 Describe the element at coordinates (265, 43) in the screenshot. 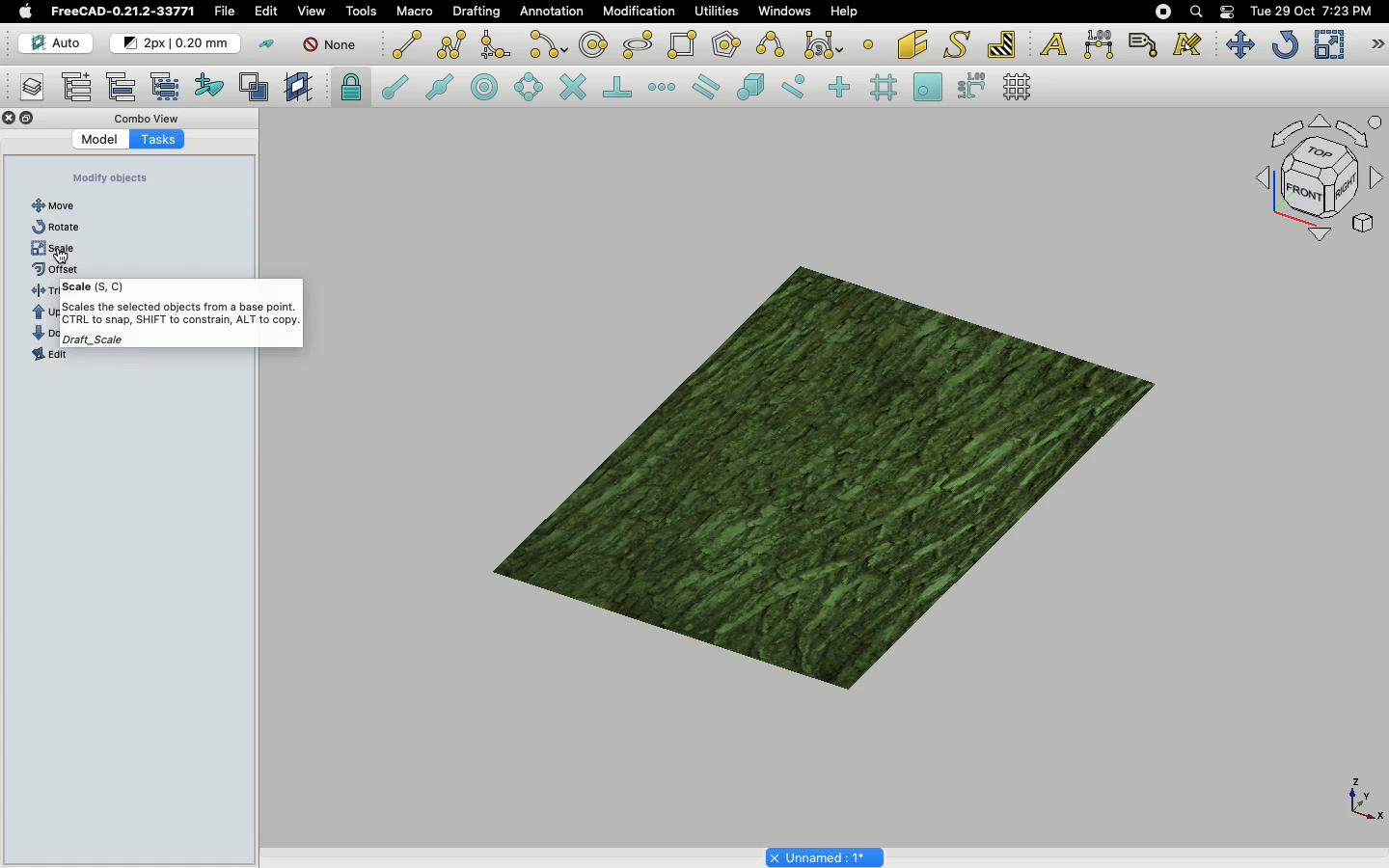

I see `Toggle construction mode` at that location.